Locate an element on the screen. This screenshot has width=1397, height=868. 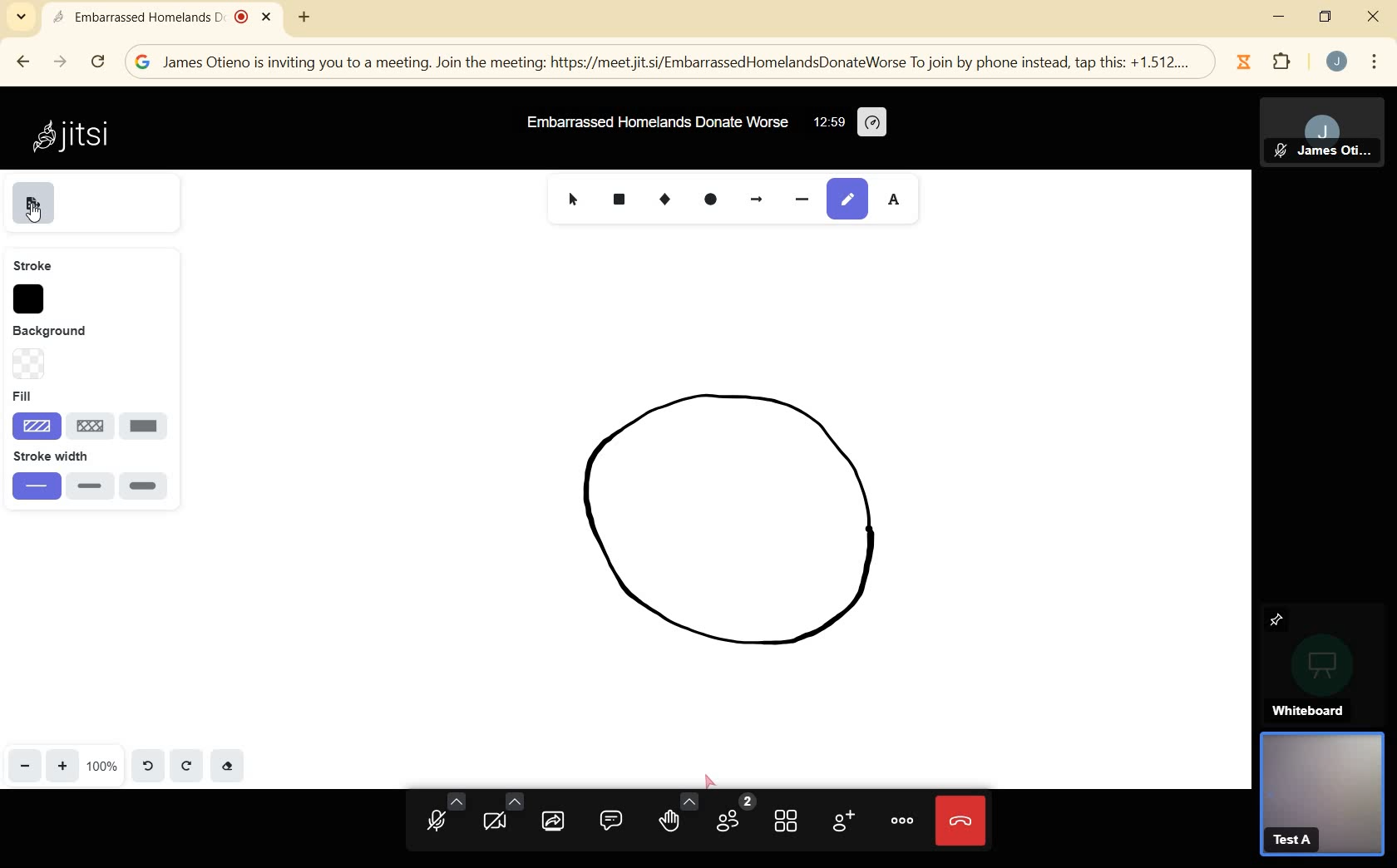
type is located at coordinates (901, 196).